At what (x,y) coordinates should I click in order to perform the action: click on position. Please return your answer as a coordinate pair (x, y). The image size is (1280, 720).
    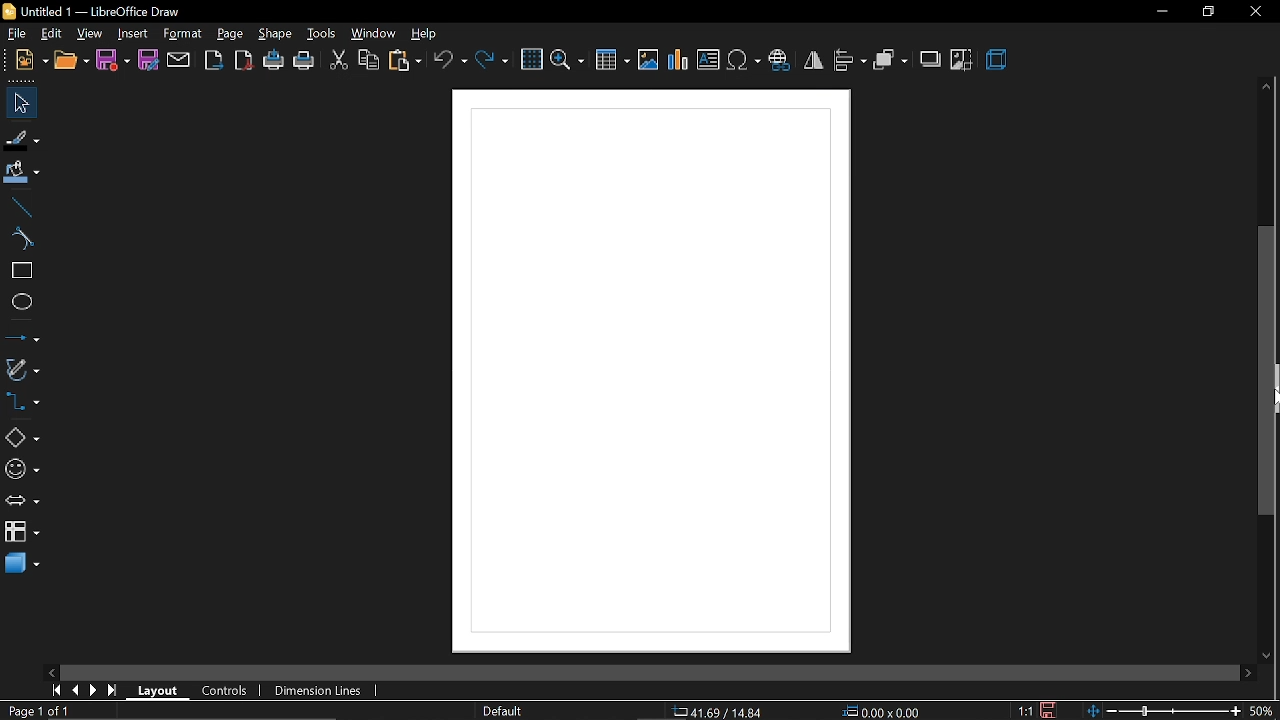
    Looking at the image, I should click on (881, 712).